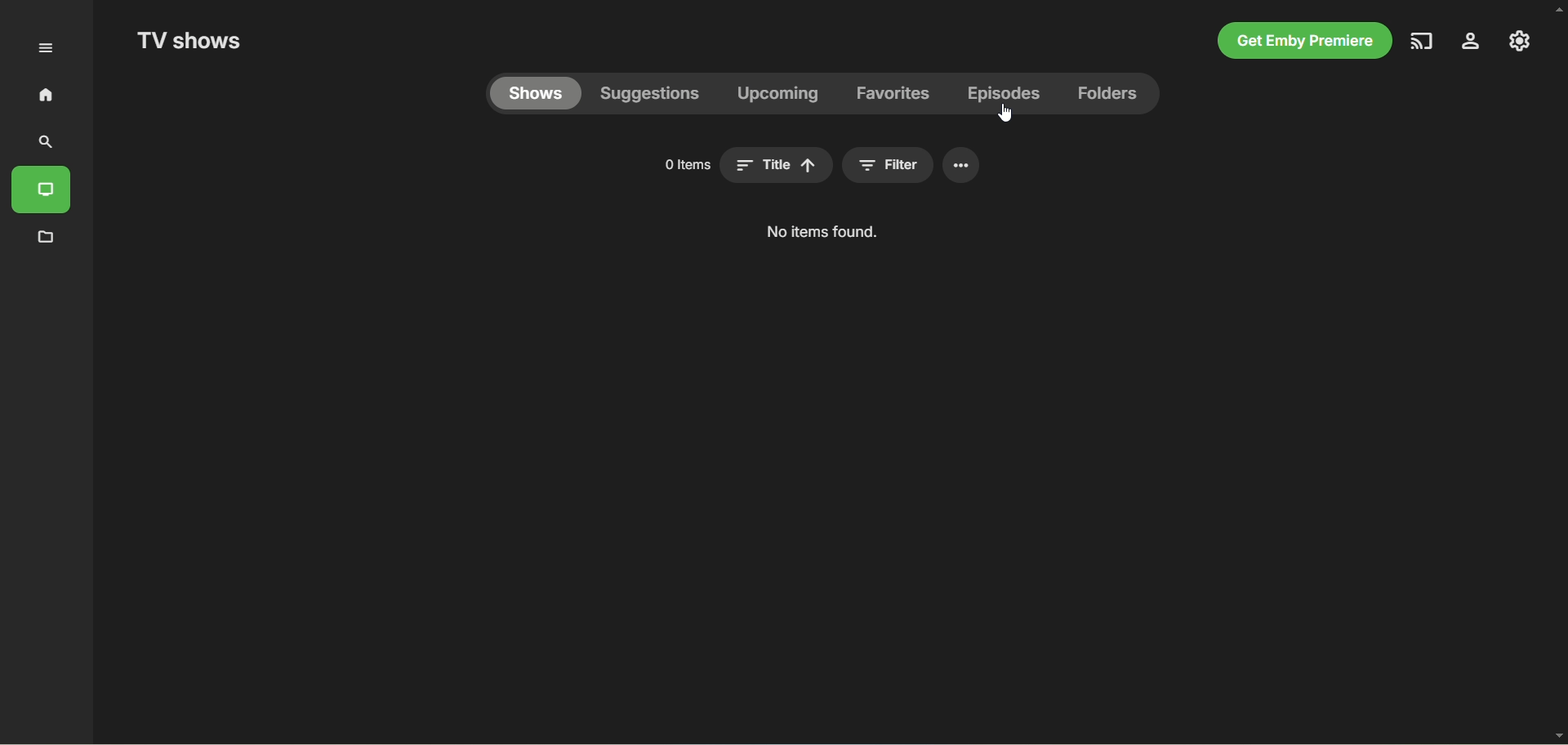 This screenshot has width=1568, height=745. I want to click on home, so click(46, 94).